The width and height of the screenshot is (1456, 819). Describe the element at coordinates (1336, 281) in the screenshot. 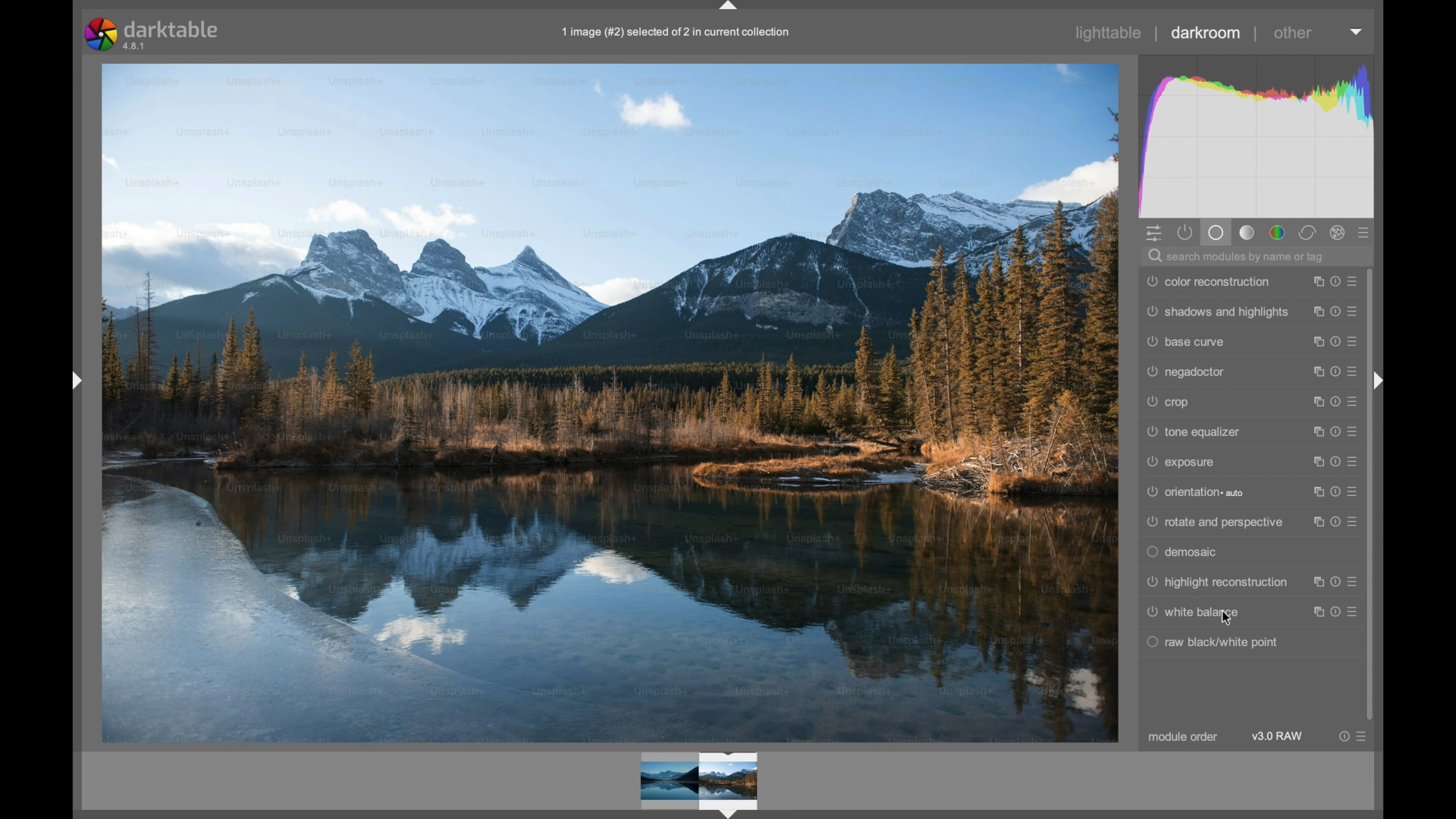

I see `reset parameters` at that location.